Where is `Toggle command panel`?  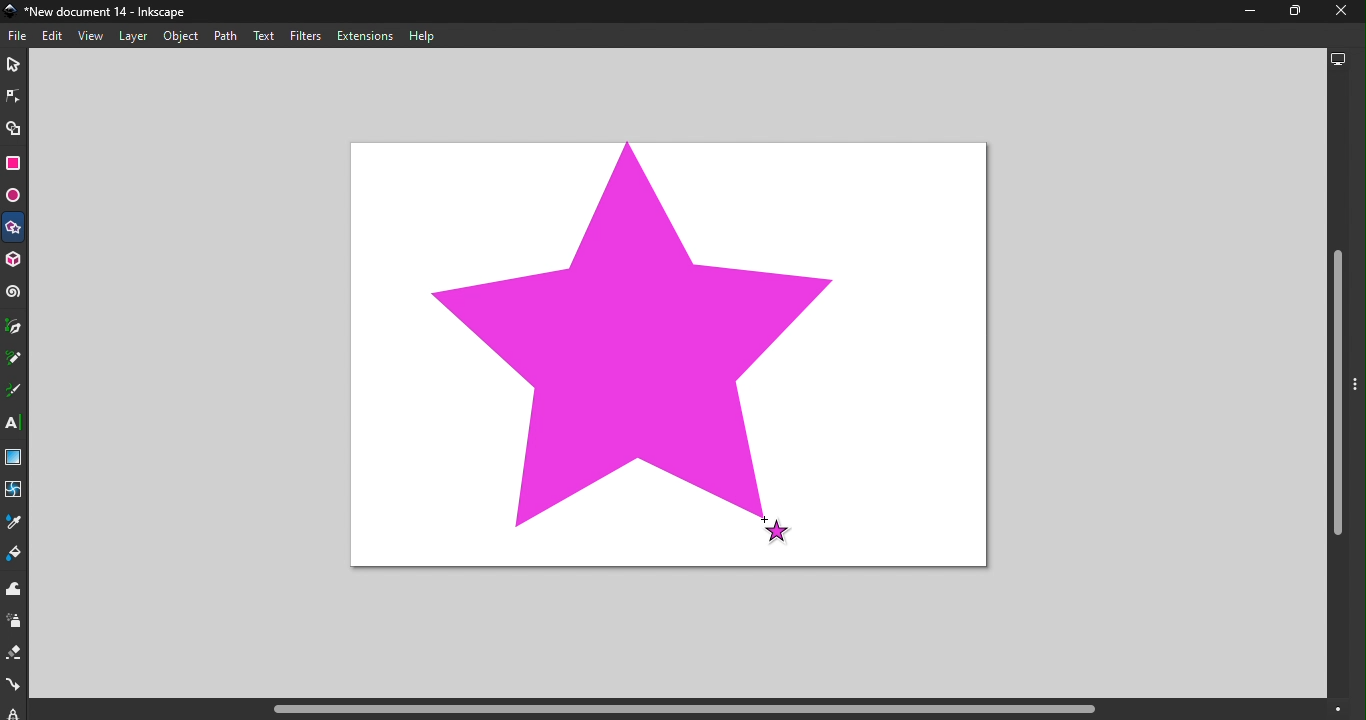
Toggle command panel is located at coordinates (1358, 398).